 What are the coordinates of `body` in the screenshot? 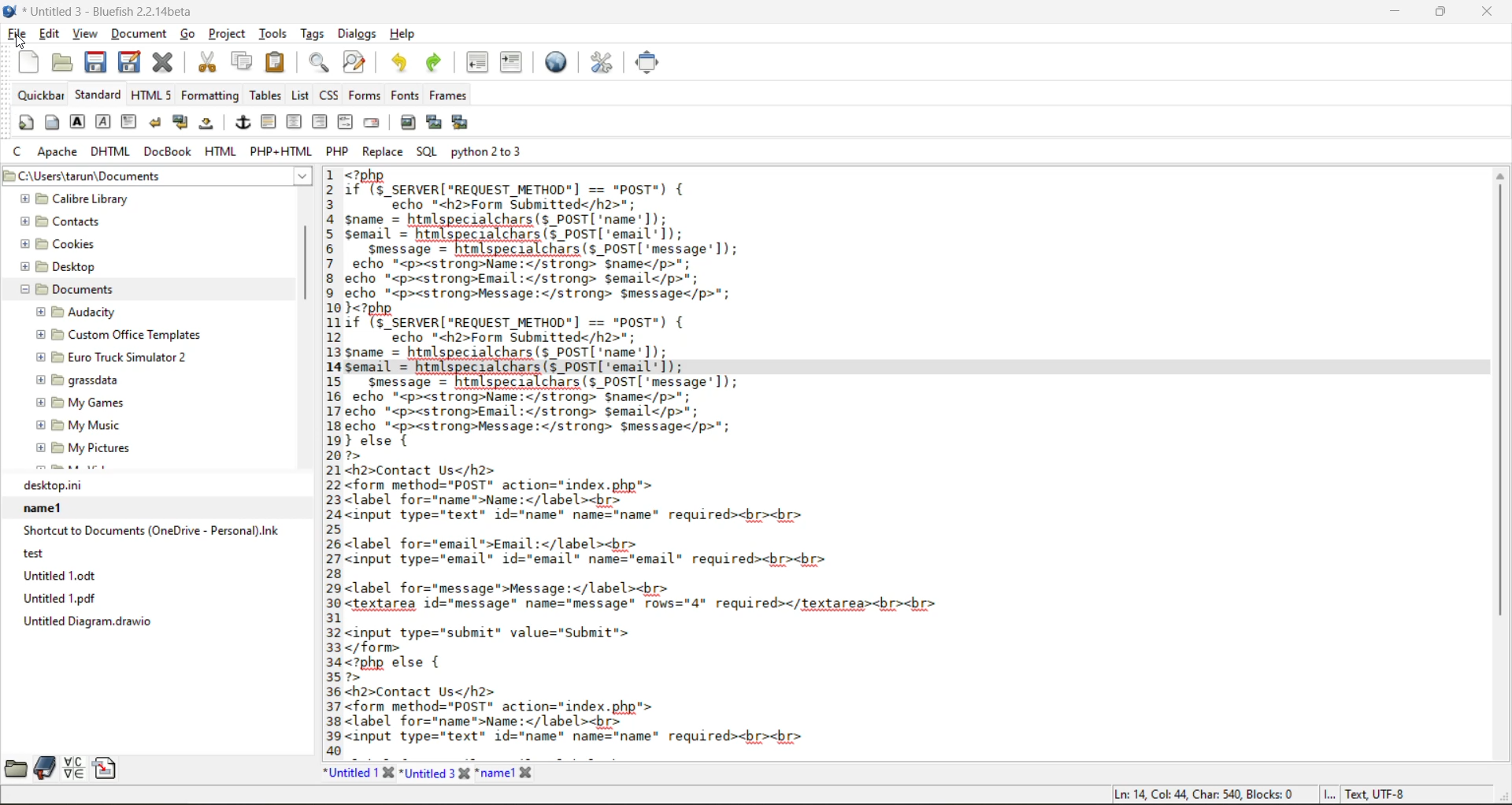 It's located at (52, 124).